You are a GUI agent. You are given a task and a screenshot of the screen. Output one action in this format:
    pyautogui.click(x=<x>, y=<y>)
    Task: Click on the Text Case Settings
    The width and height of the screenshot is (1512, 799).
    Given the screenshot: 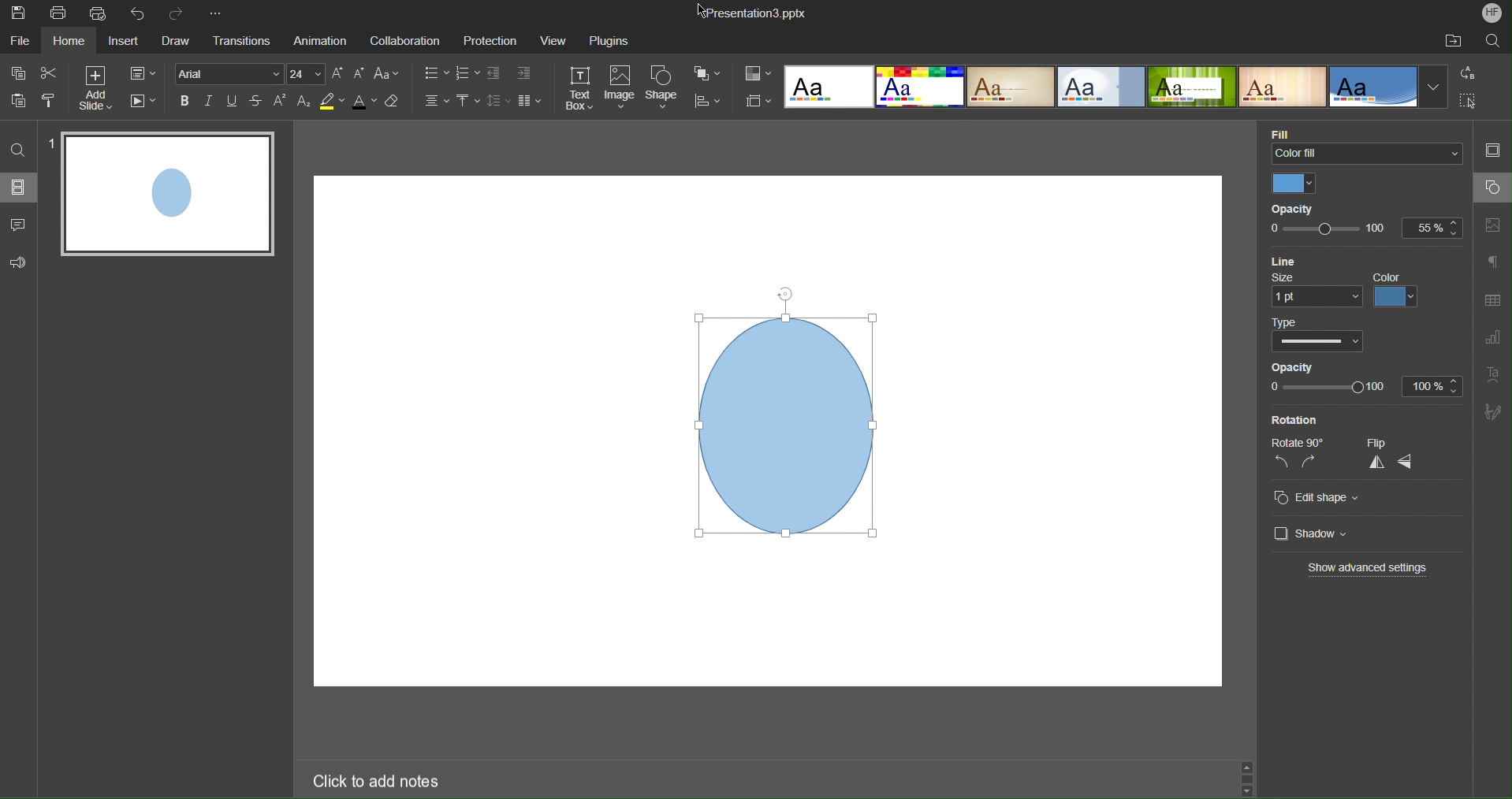 What is the action you would take?
    pyautogui.click(x=389, y=74)
    